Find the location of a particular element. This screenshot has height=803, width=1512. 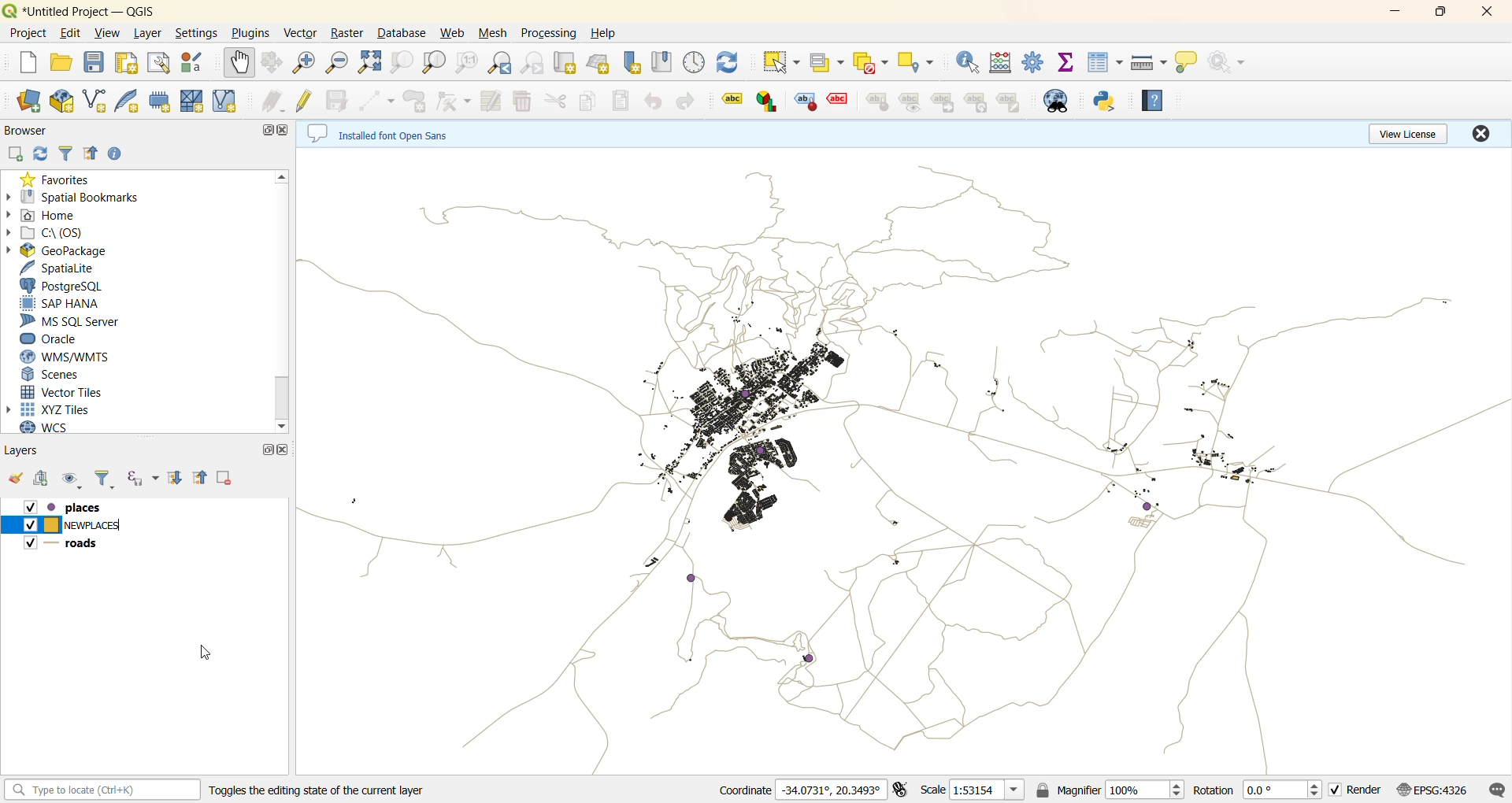

zoom next is located at coordinates (535, 62).